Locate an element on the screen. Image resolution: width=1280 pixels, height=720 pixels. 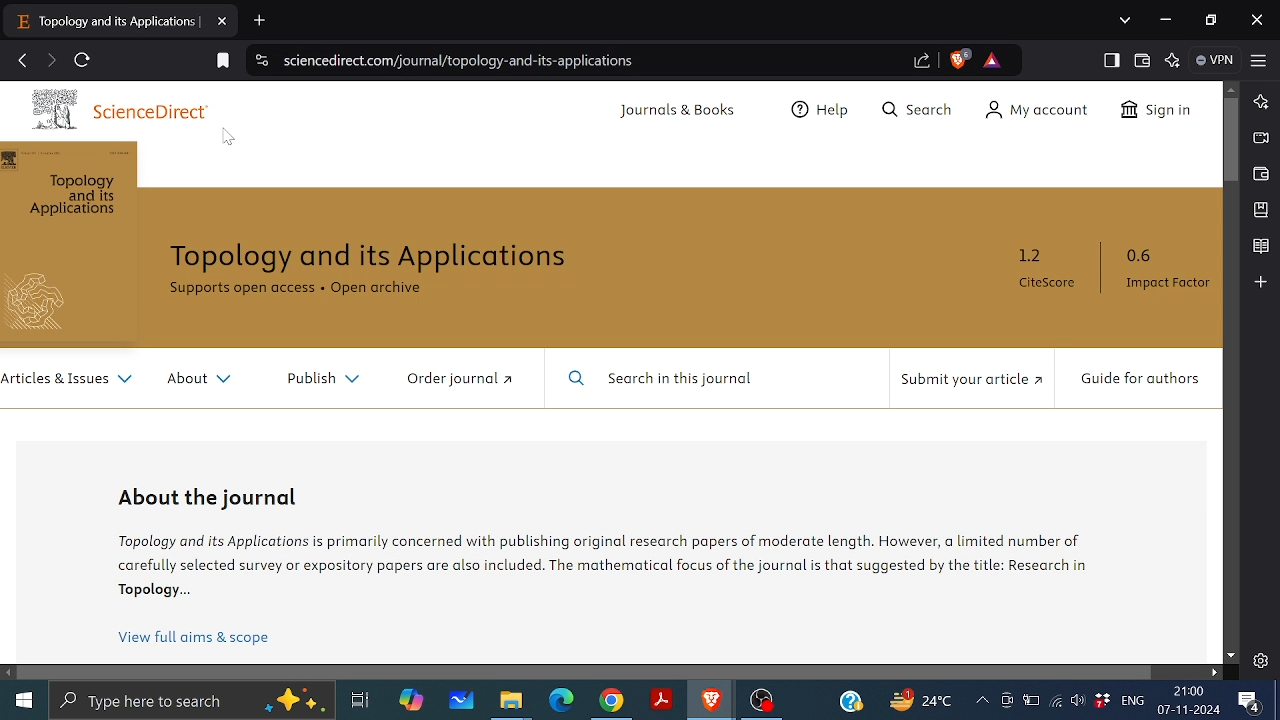
Move page upwards is located at coordinates (1231, 90).